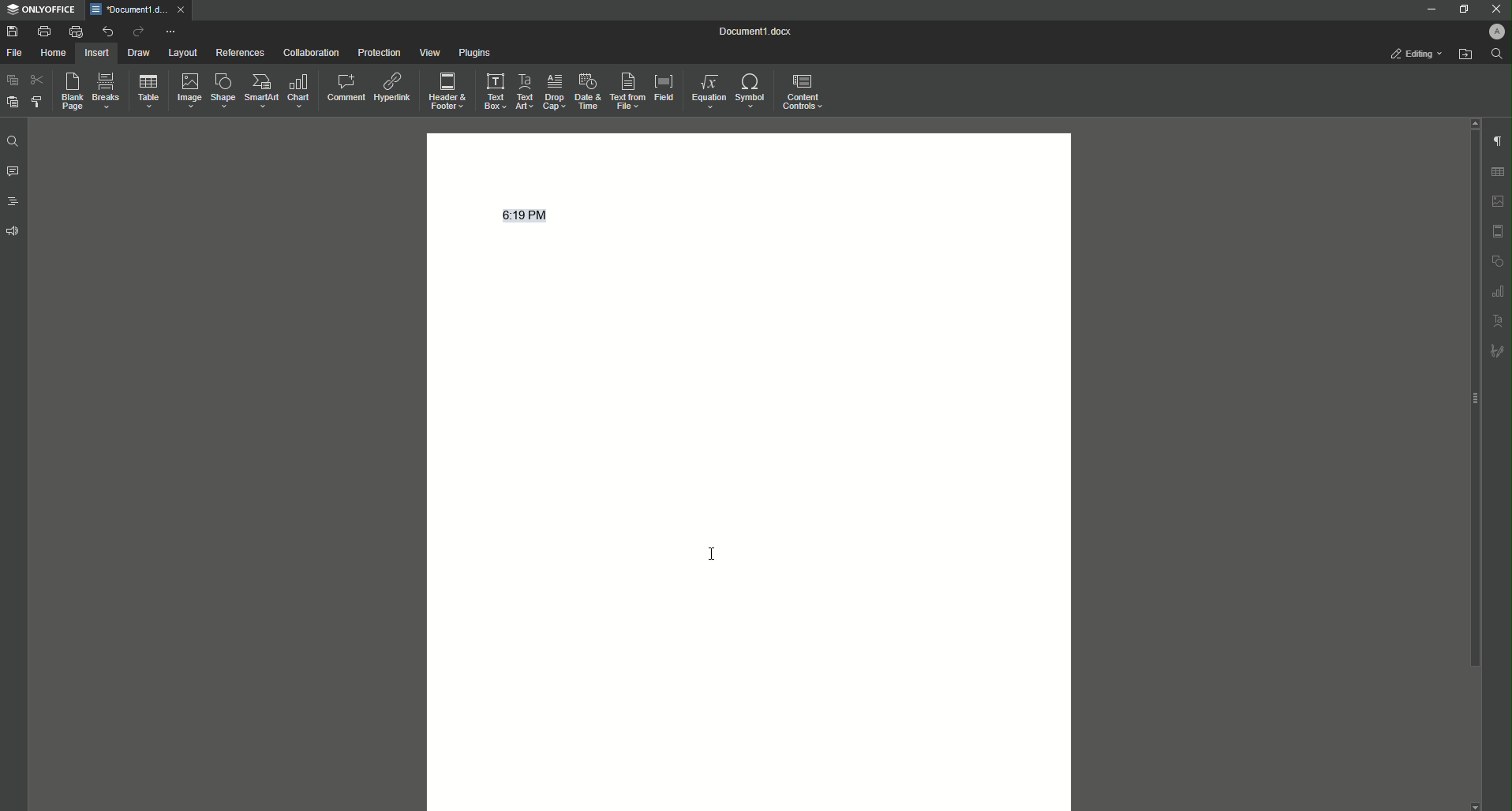 The width and height of the screenshot is (1512, 811). What do you see at coordinates (185, 90) in the screenshot?
I see `Image` at bounding box center [185, 90].